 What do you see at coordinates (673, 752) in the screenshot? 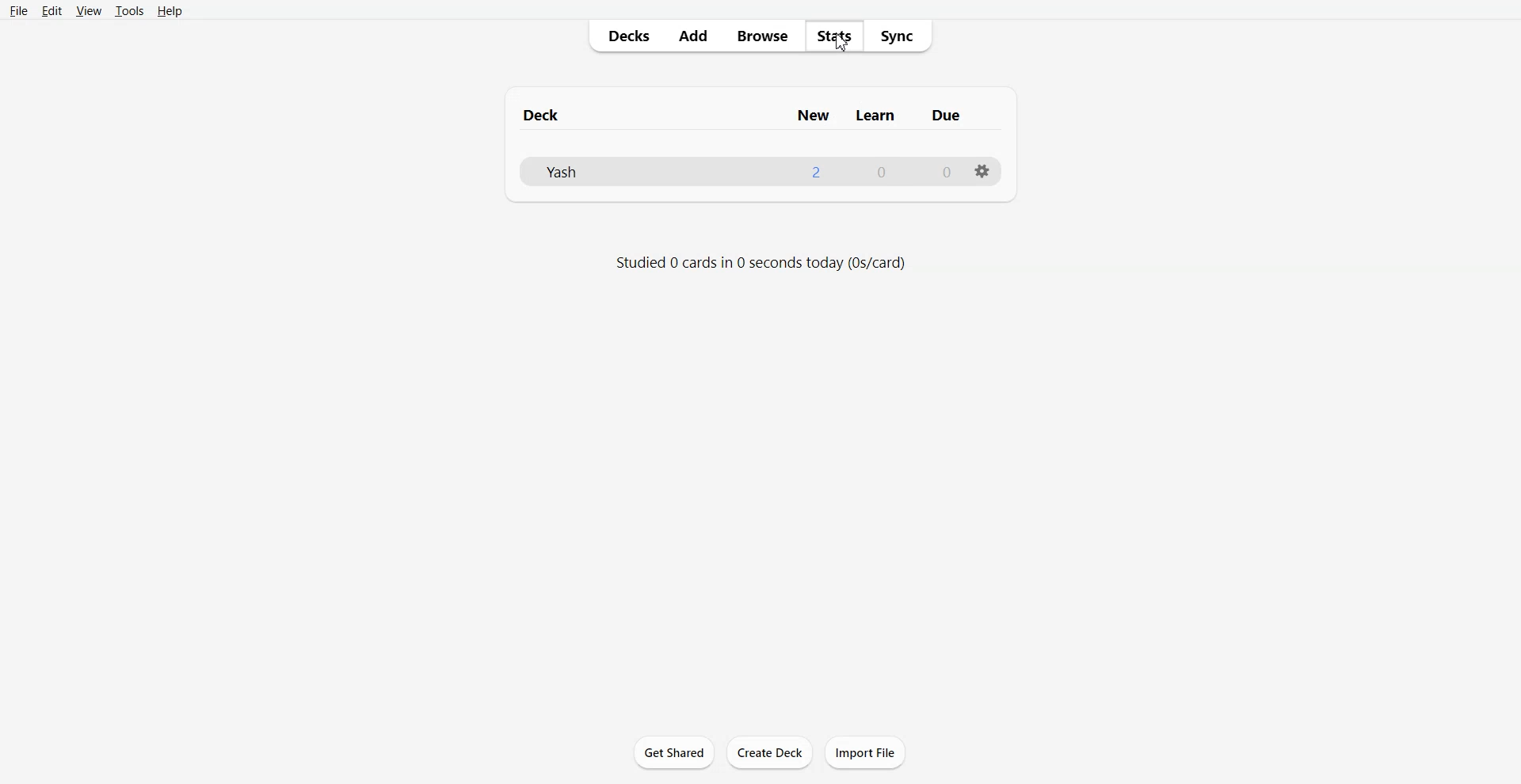
I see `Get Shared` at bounding box center [673, 752].